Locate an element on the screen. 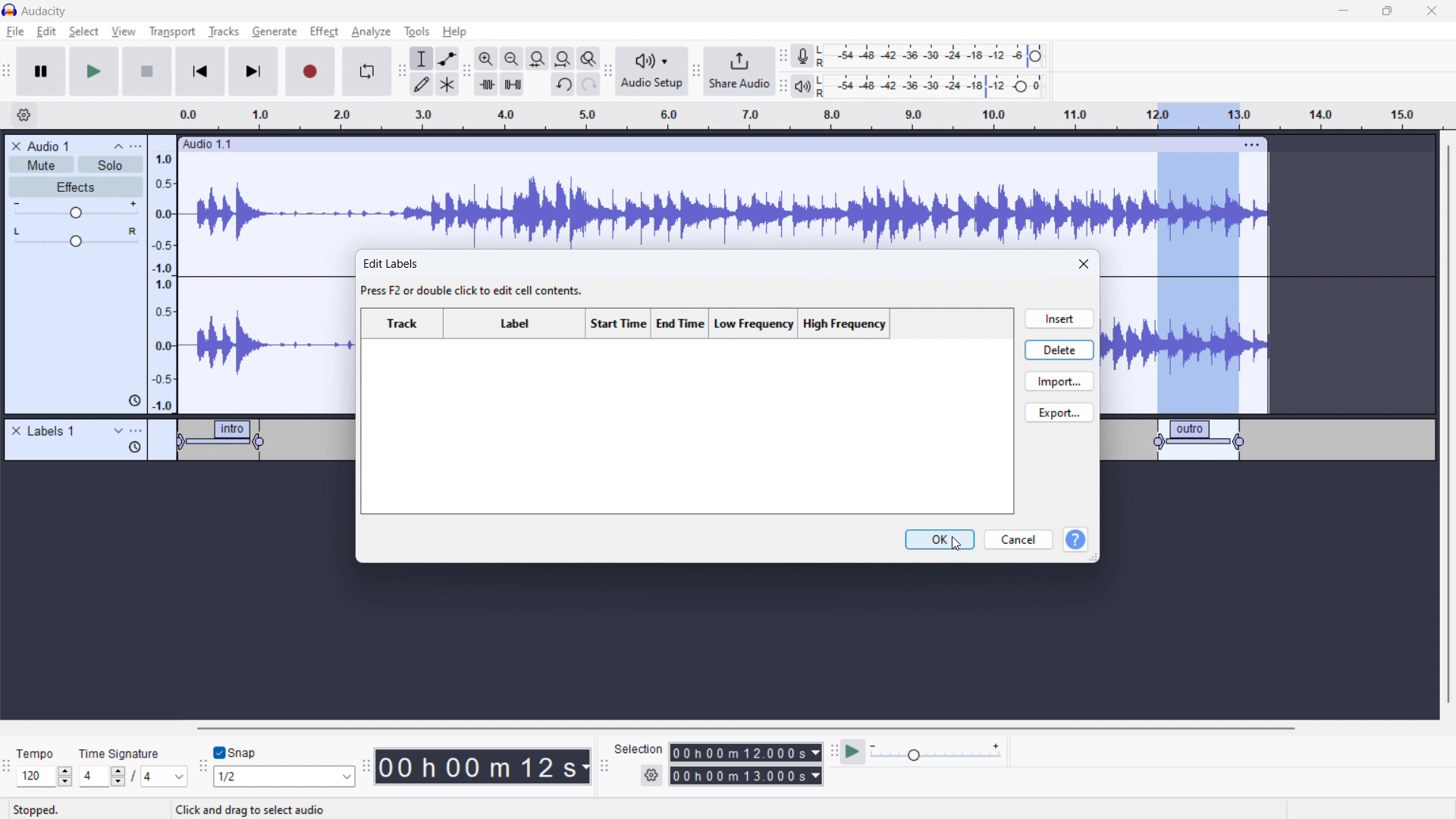 The height and width of the screenshot is (819, 1456). skip to end is located at coordinates (258, 71).